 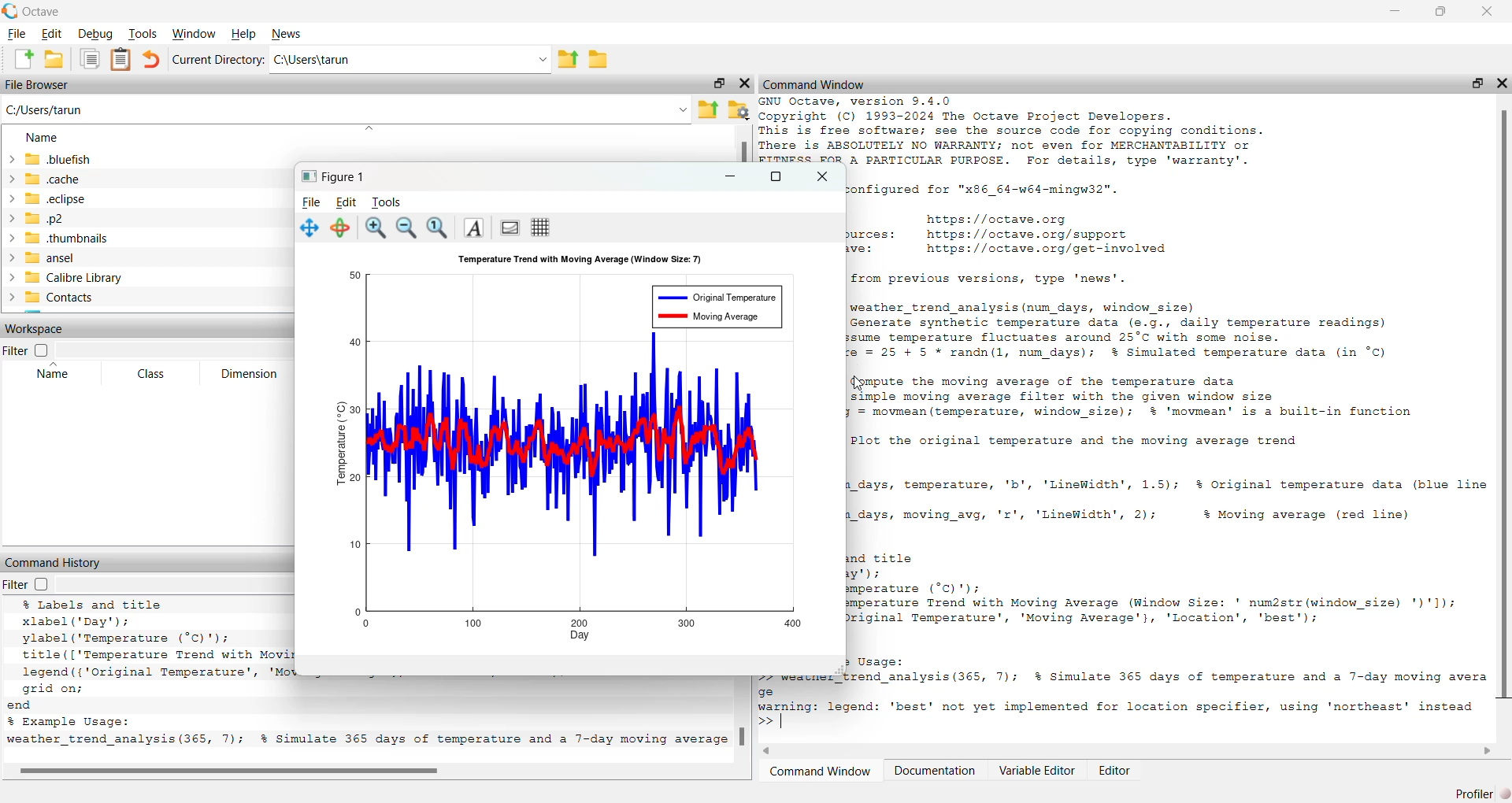 What do you see at coordinates (741, 152) in the screenshot?
I see `Scrollbar` at bounding box center [741, 152].